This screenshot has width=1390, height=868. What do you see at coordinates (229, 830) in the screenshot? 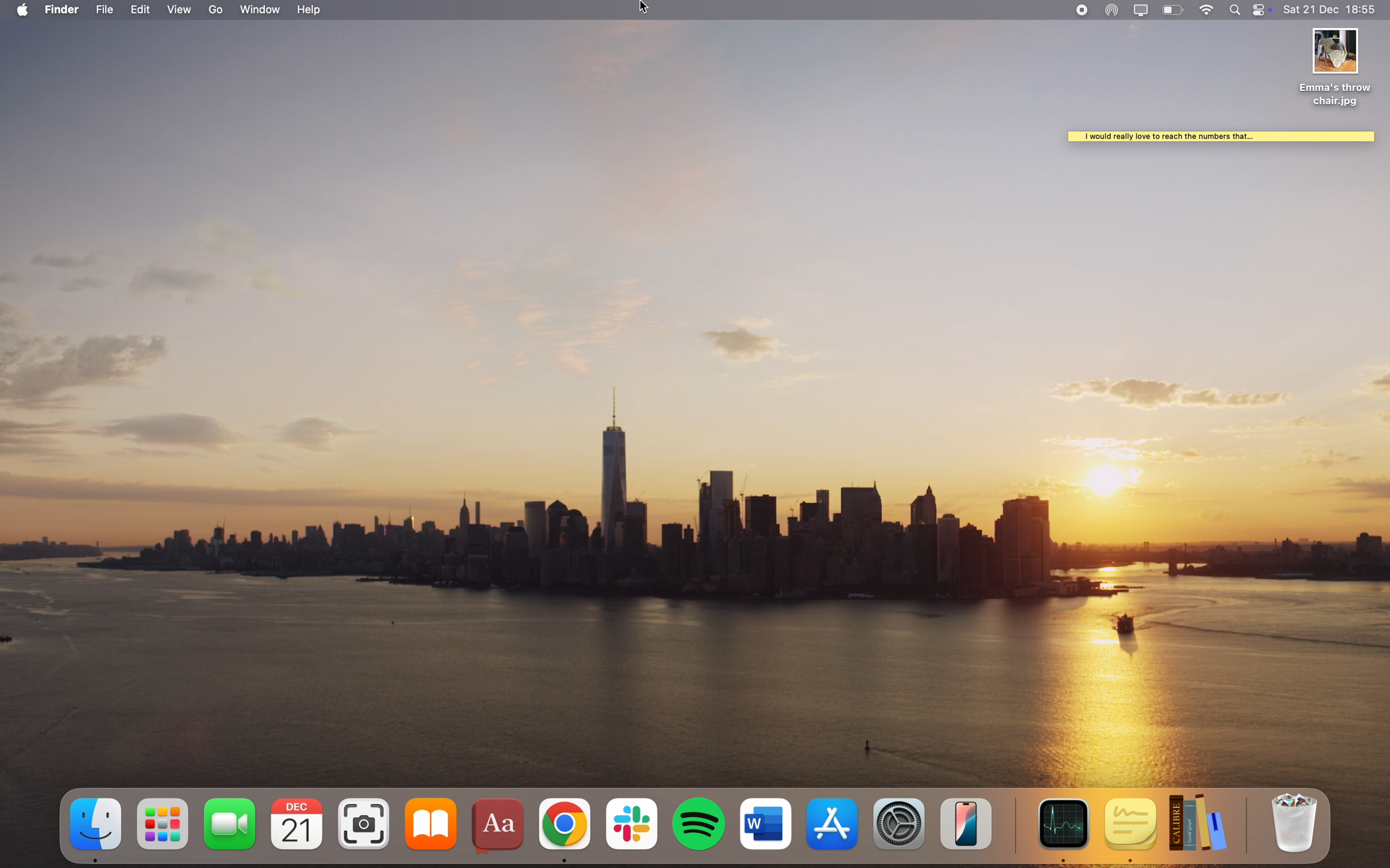
I see `facetime` at bounding box center [229, 830].